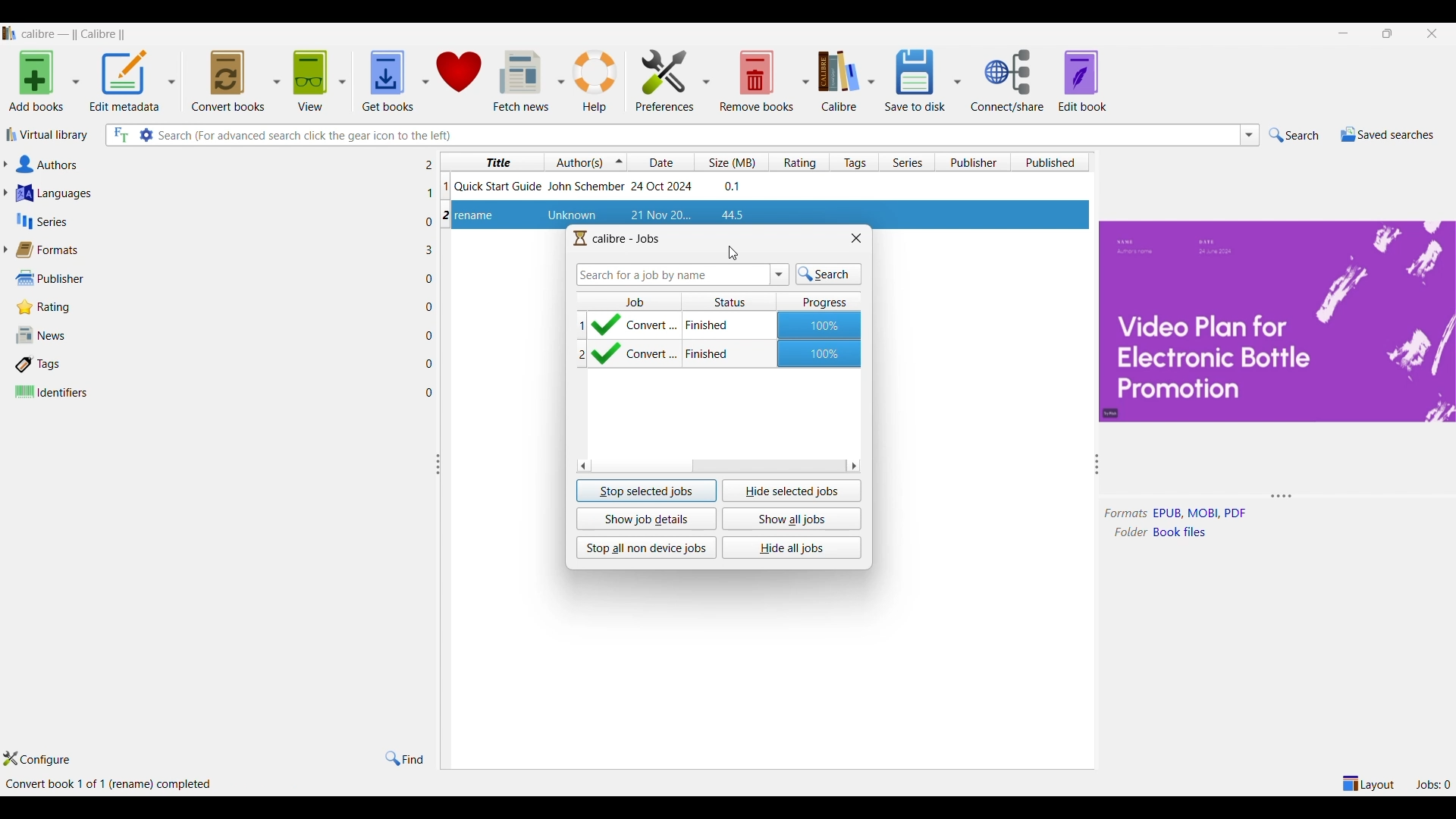 Image resolution: width=1456 pixels, height=819 pixels. Describe the element at coordinates (780, 275) in the screenshot. I see `Lust jobs by name` at that location.